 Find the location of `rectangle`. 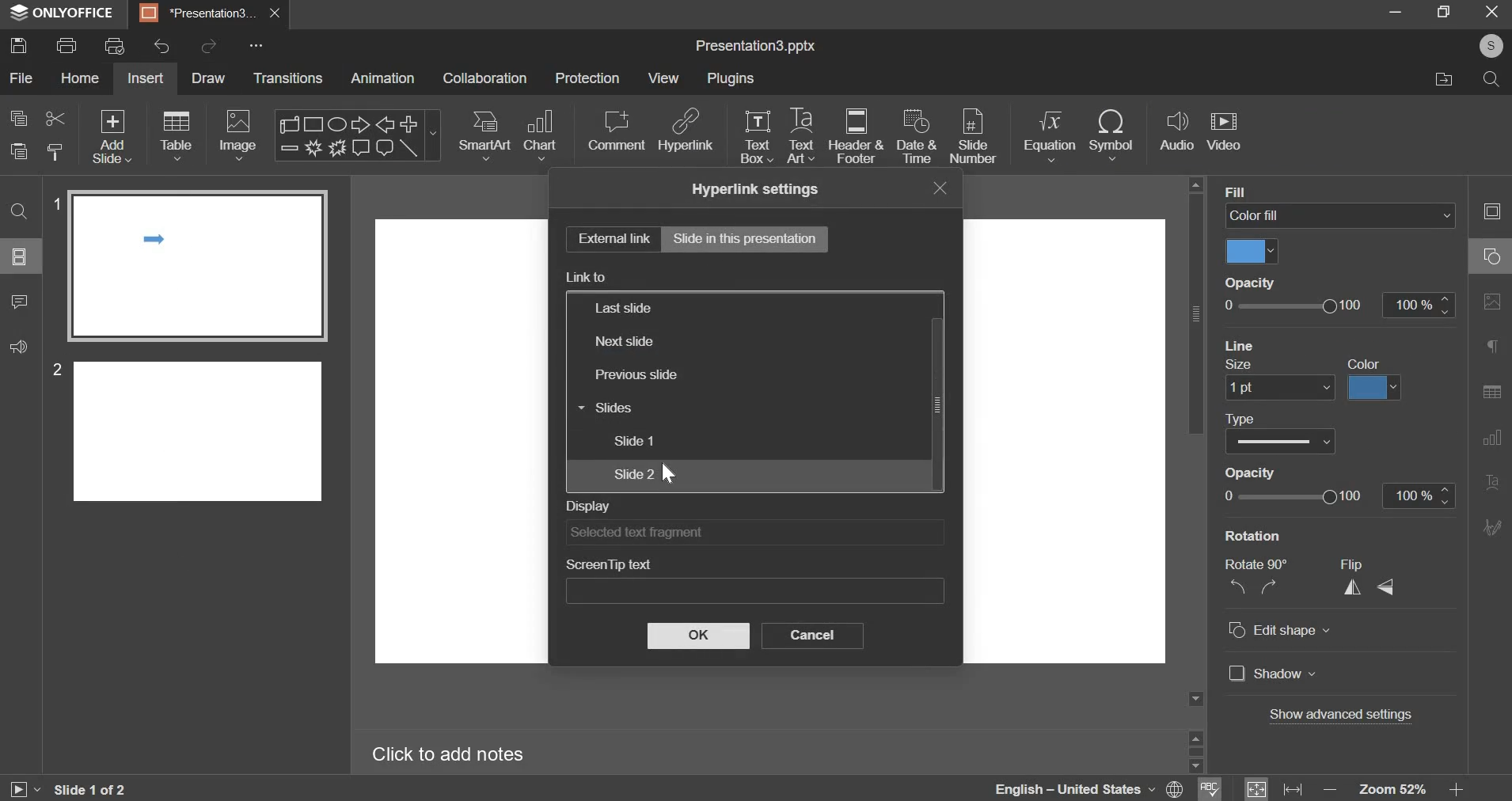

rectangle is located at coordinates (315, 123).